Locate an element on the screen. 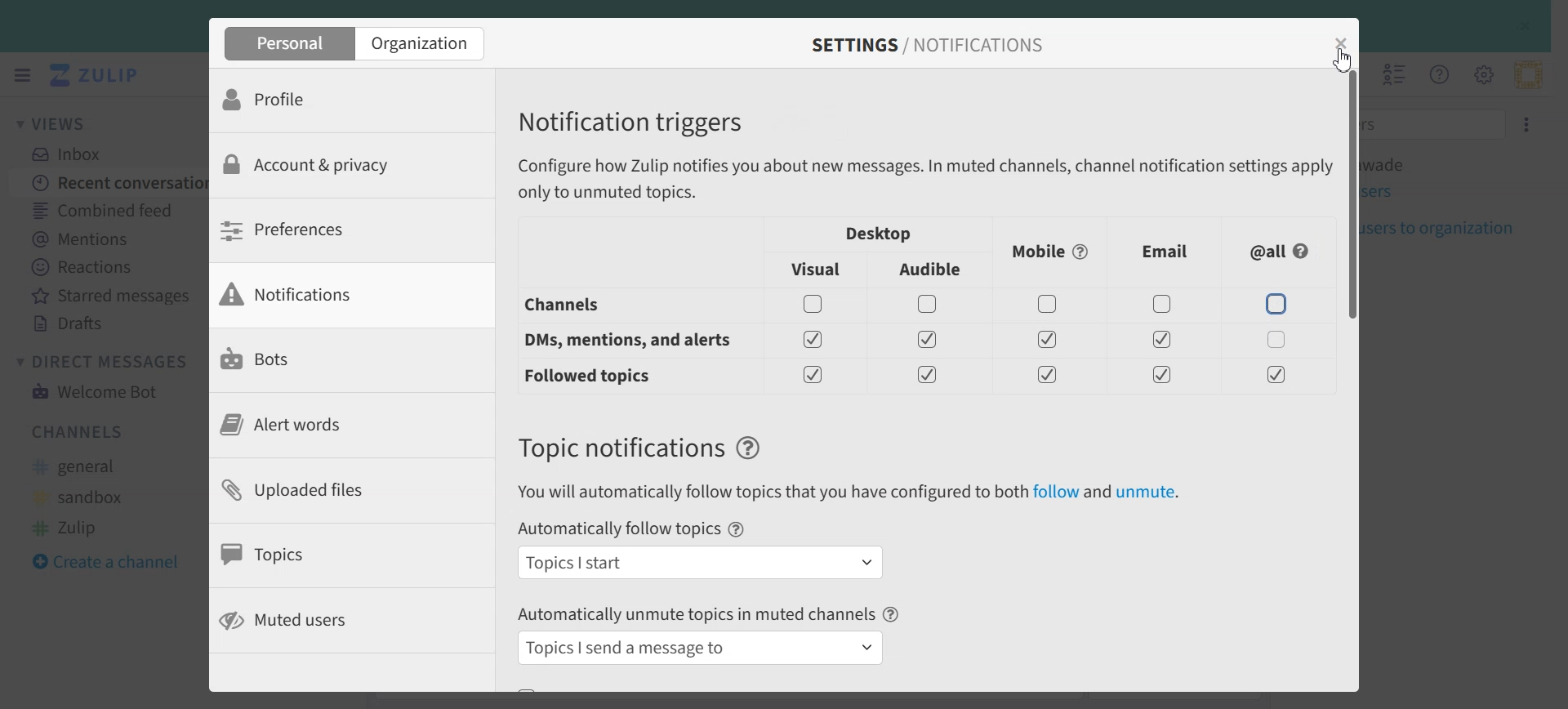 The width and height of the screenshot is (1568, 709). #sandbox is located at coordinates (84, 497).